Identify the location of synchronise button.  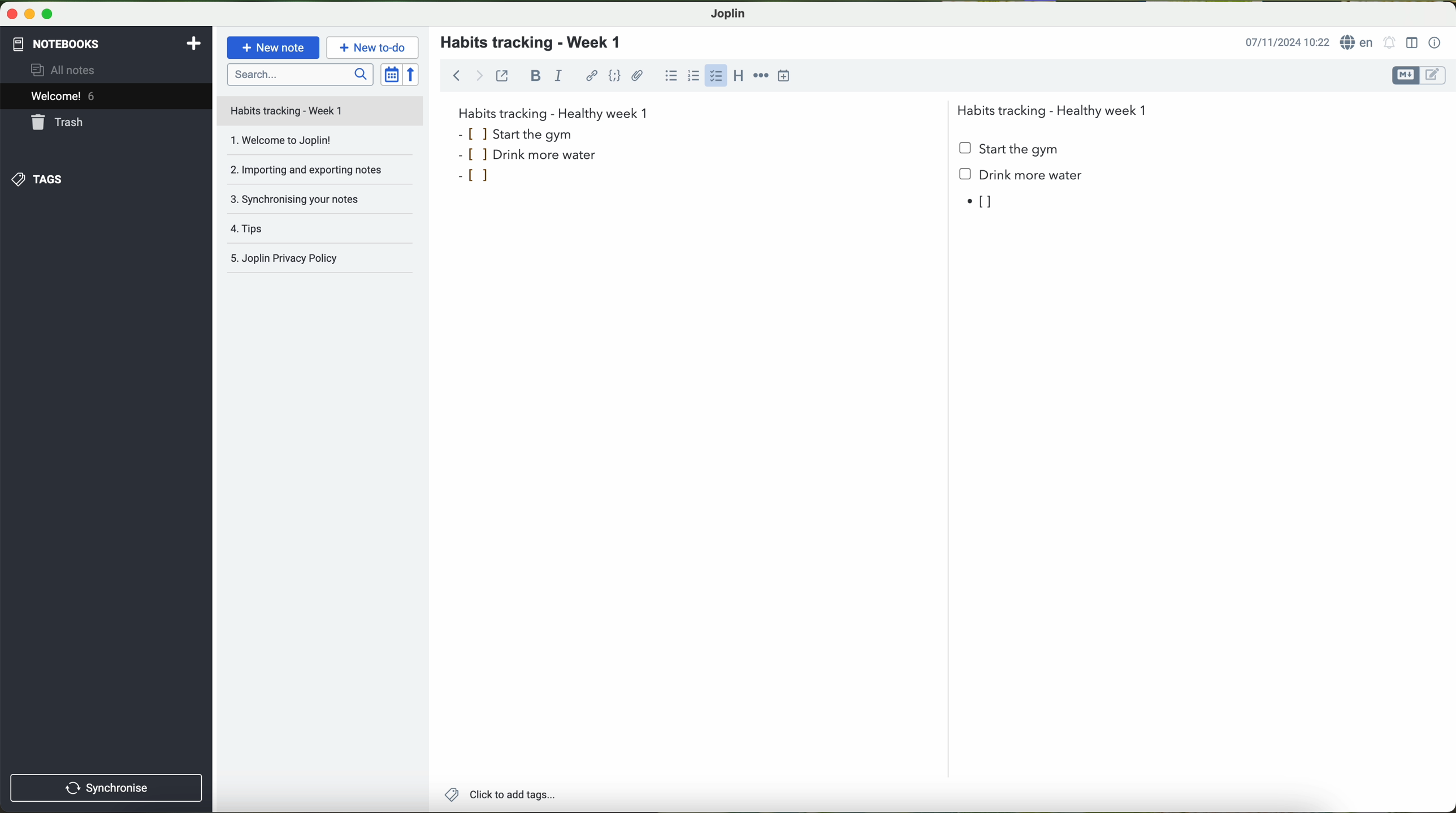
(107, 788).